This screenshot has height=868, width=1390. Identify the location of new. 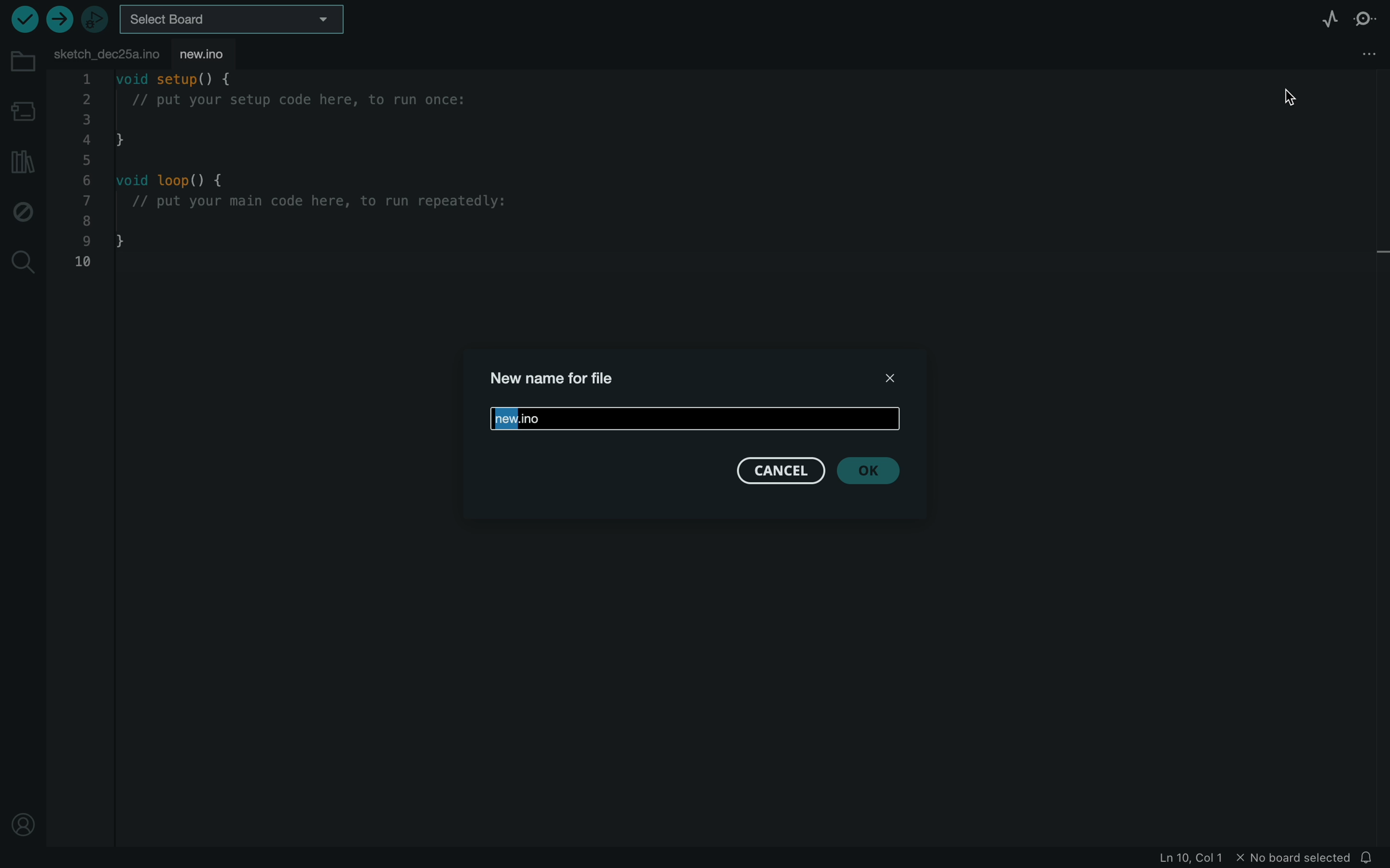
(215, 53).